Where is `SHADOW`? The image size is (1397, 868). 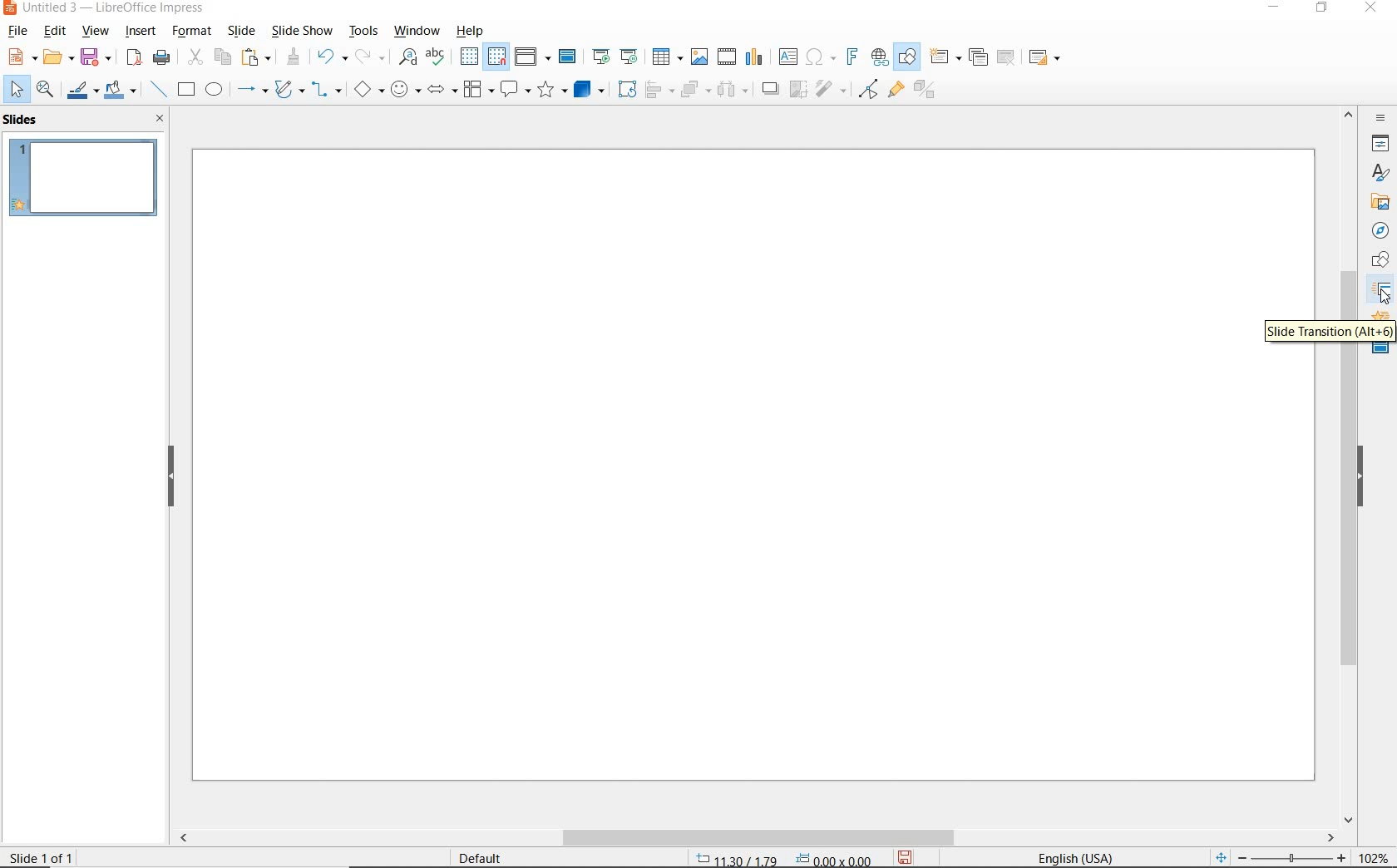 SHADOW is located at coordinates (770, 89).